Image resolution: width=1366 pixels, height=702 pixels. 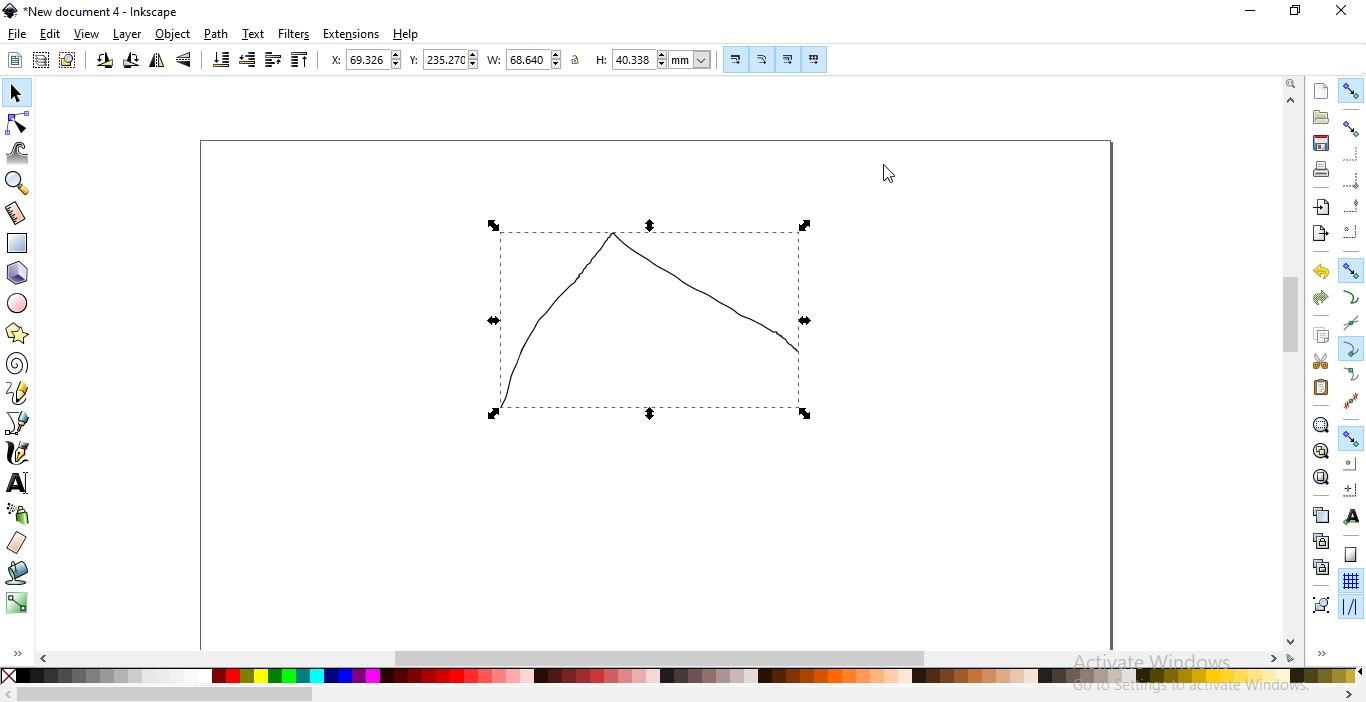 I want to click on rotate 90 counter clockwise, so click(x=103, y=61).